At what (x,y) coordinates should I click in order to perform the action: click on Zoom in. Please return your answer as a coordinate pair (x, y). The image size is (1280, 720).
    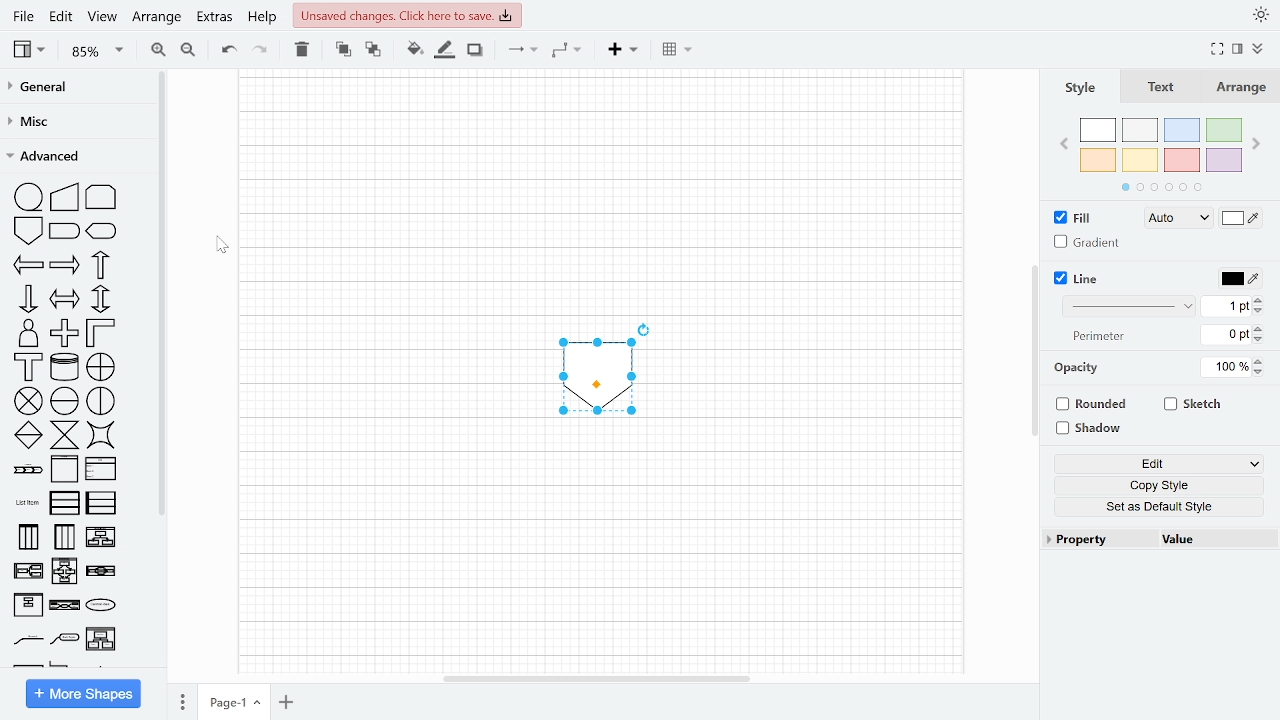
    Looking at the image, I should click on (158, 50).